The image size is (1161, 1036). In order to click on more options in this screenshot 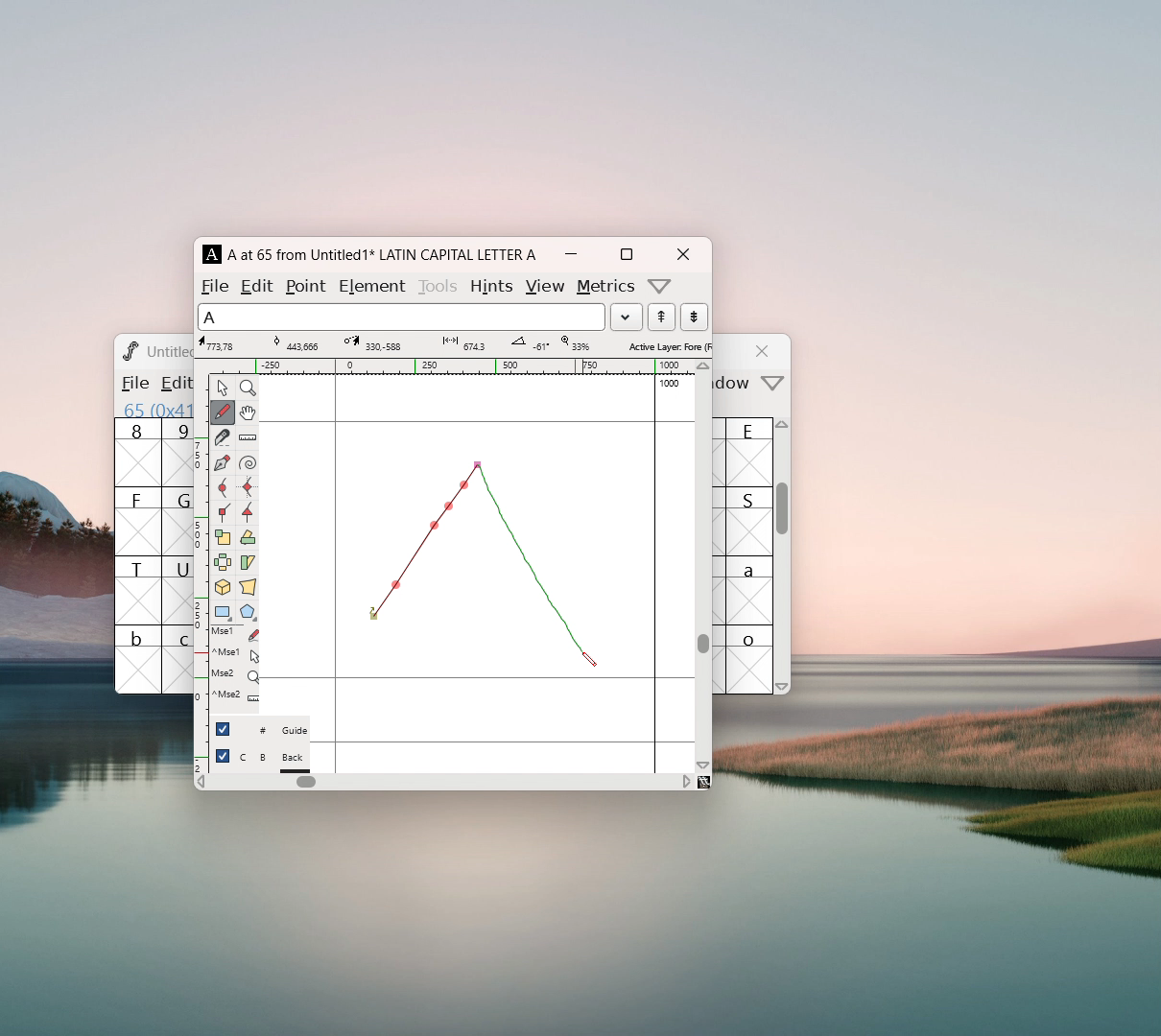, I will do `click(660, 286)`.